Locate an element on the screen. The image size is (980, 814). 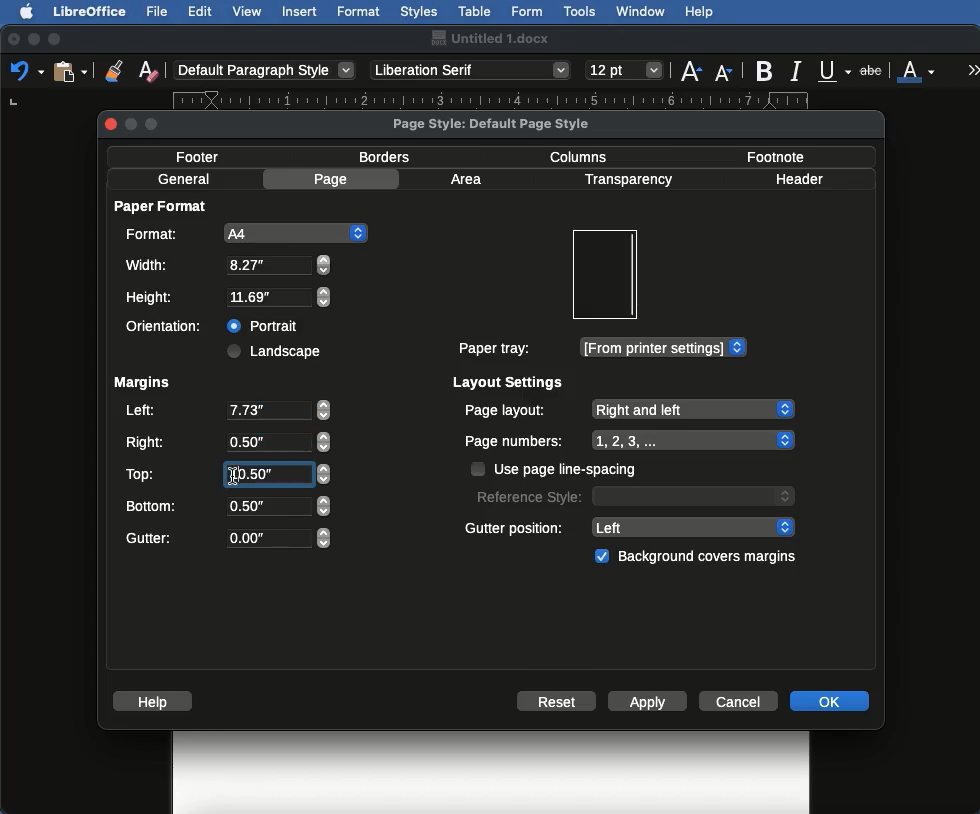
Header is located at coordinates (799, 179).